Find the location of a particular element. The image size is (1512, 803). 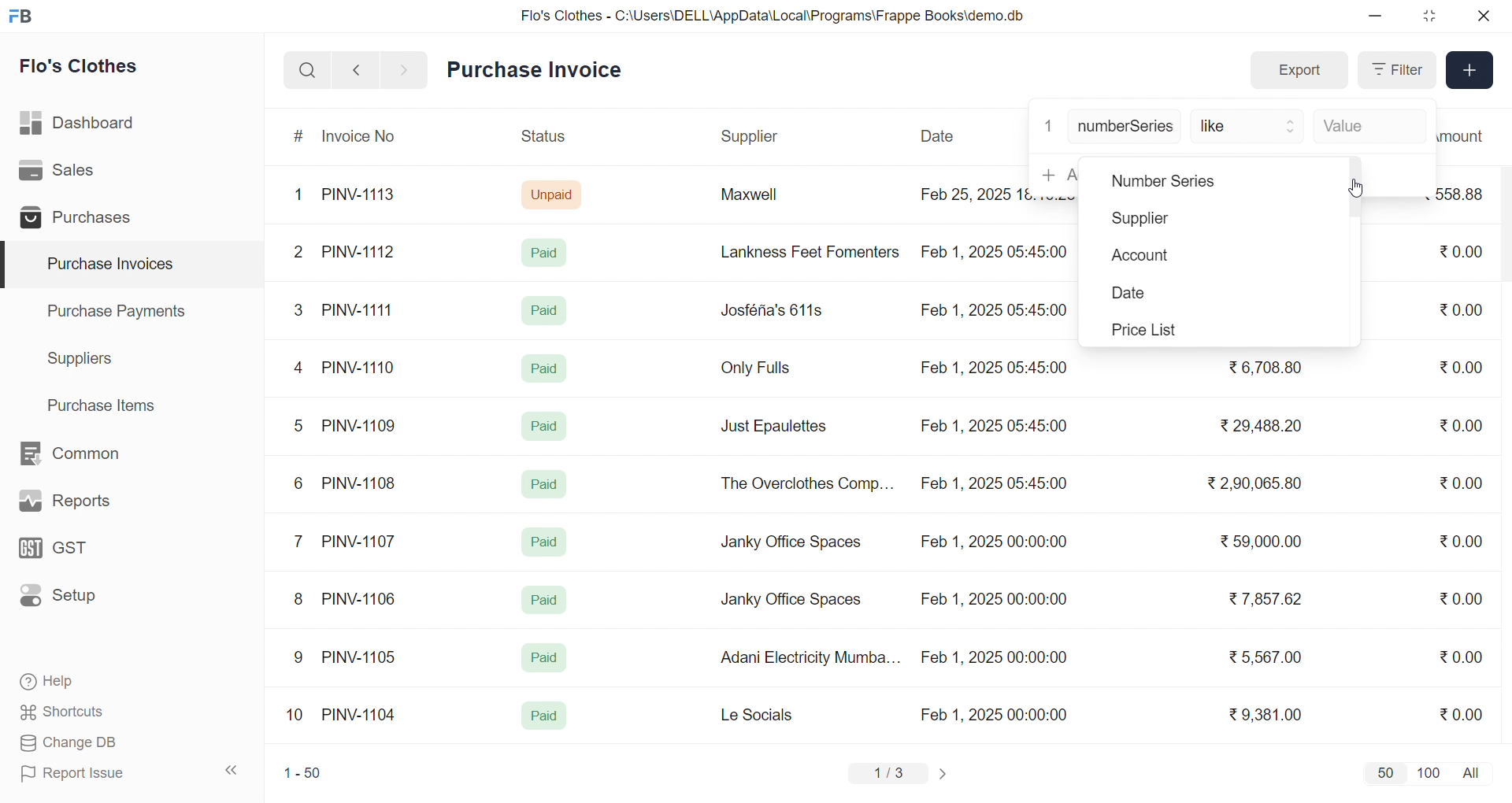

collapse sidebar is located at coordinates (232, 771).